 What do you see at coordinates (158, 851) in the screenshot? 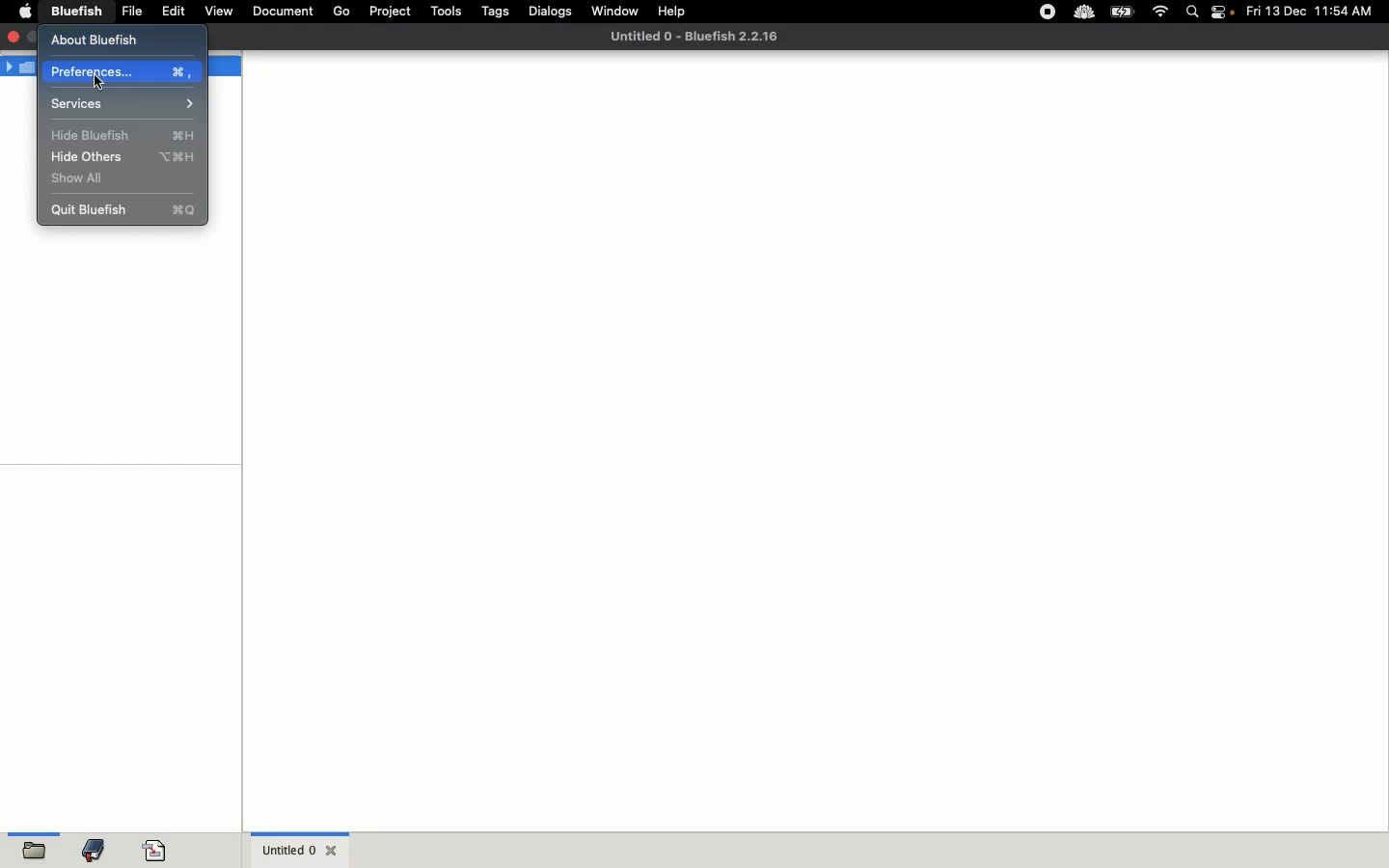
I see `Bookmark` at bounding box center [158, 851].